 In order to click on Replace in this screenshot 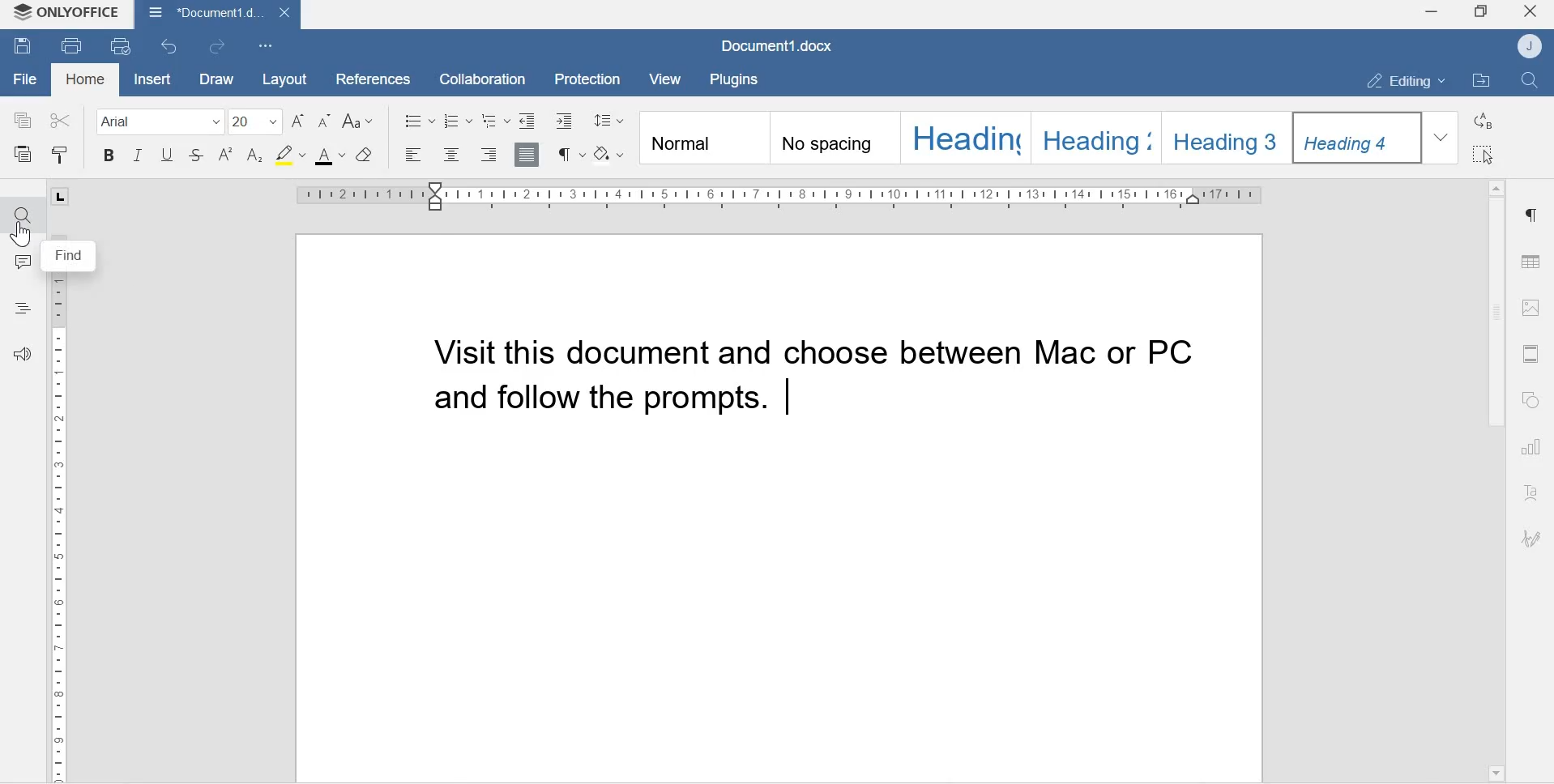, I will do `click(1485, 121)`.